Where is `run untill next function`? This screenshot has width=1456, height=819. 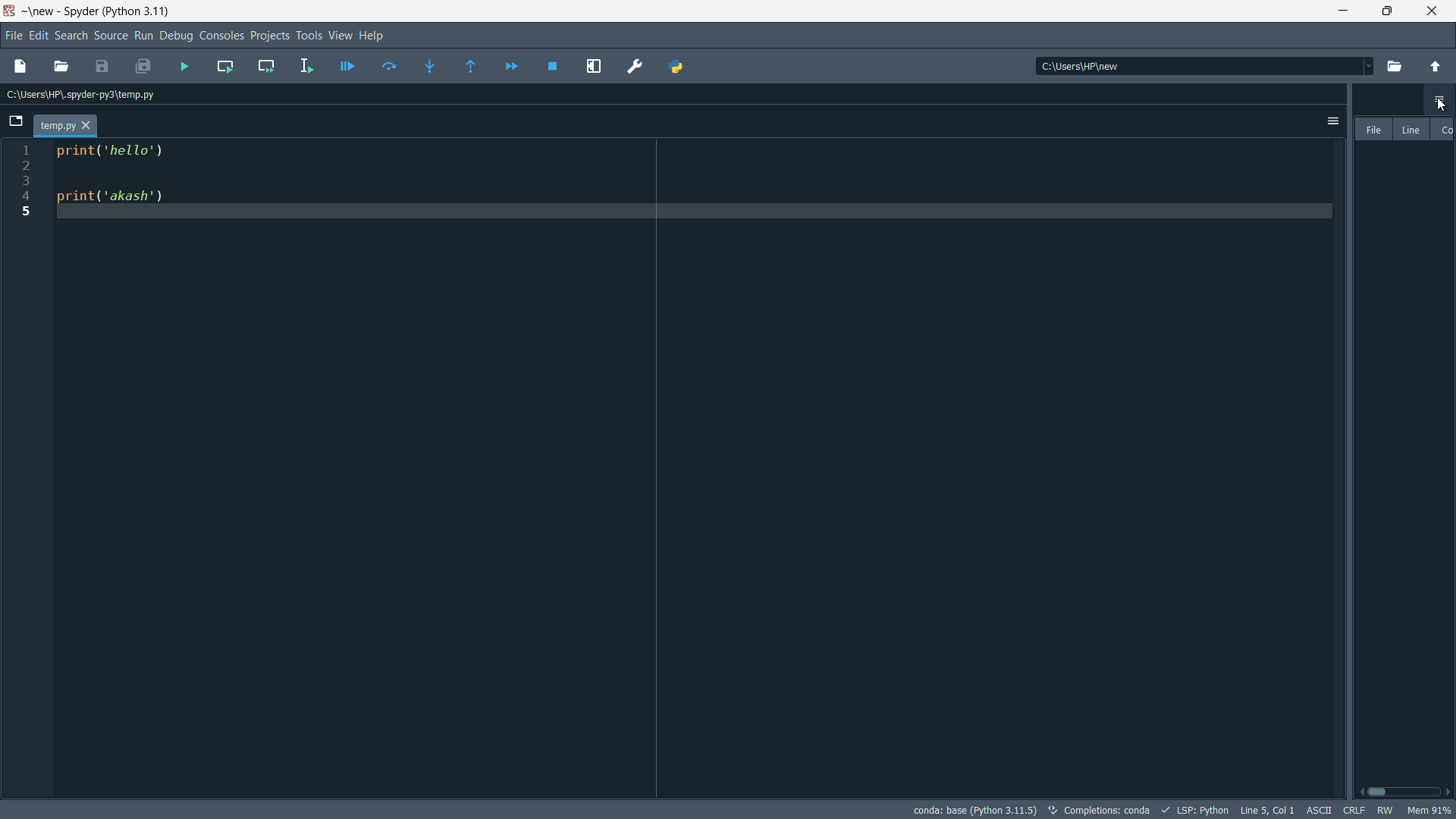
run untill next function is located at coordinates (468, 66).